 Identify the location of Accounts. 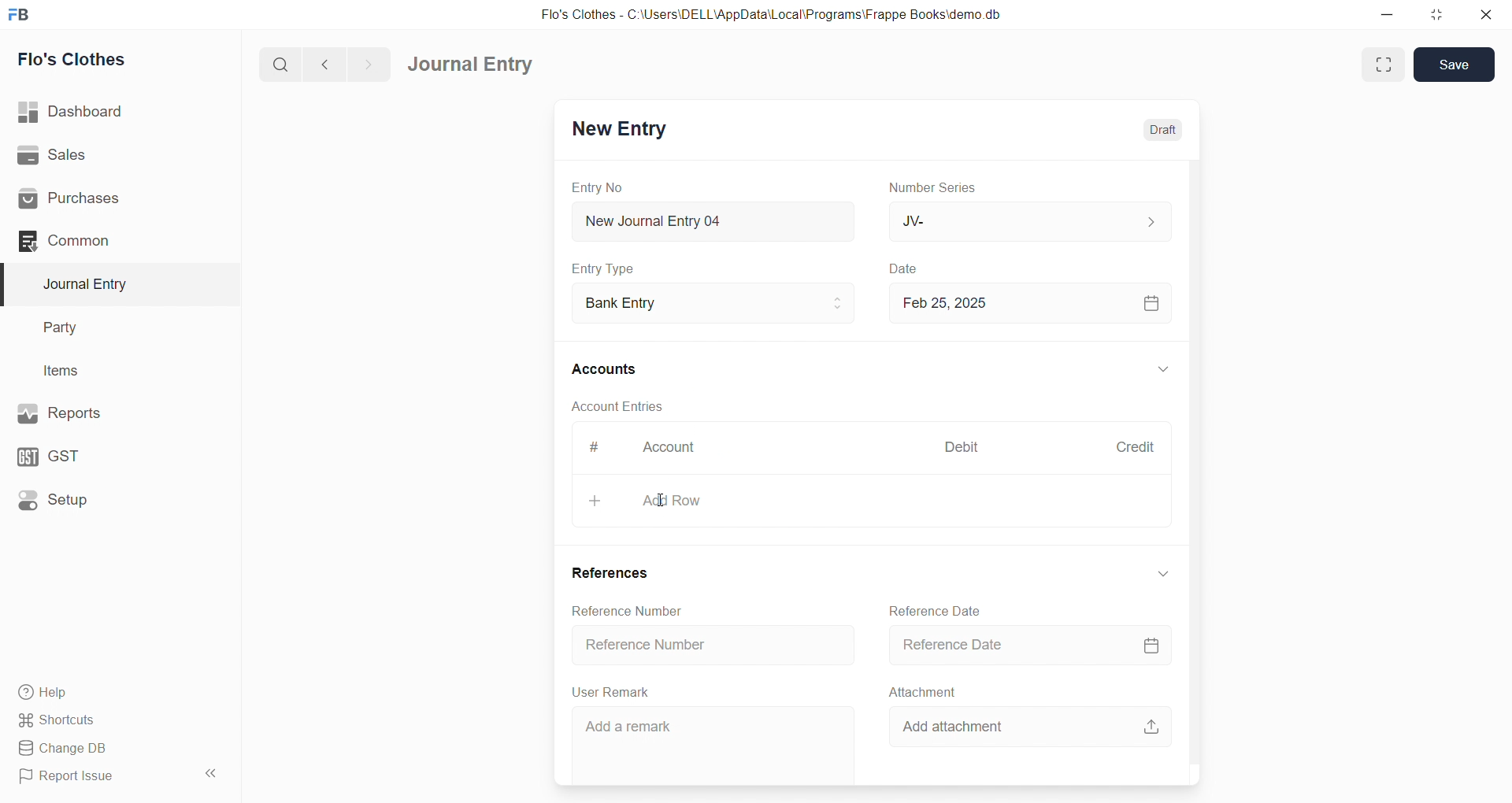
(614, 368).